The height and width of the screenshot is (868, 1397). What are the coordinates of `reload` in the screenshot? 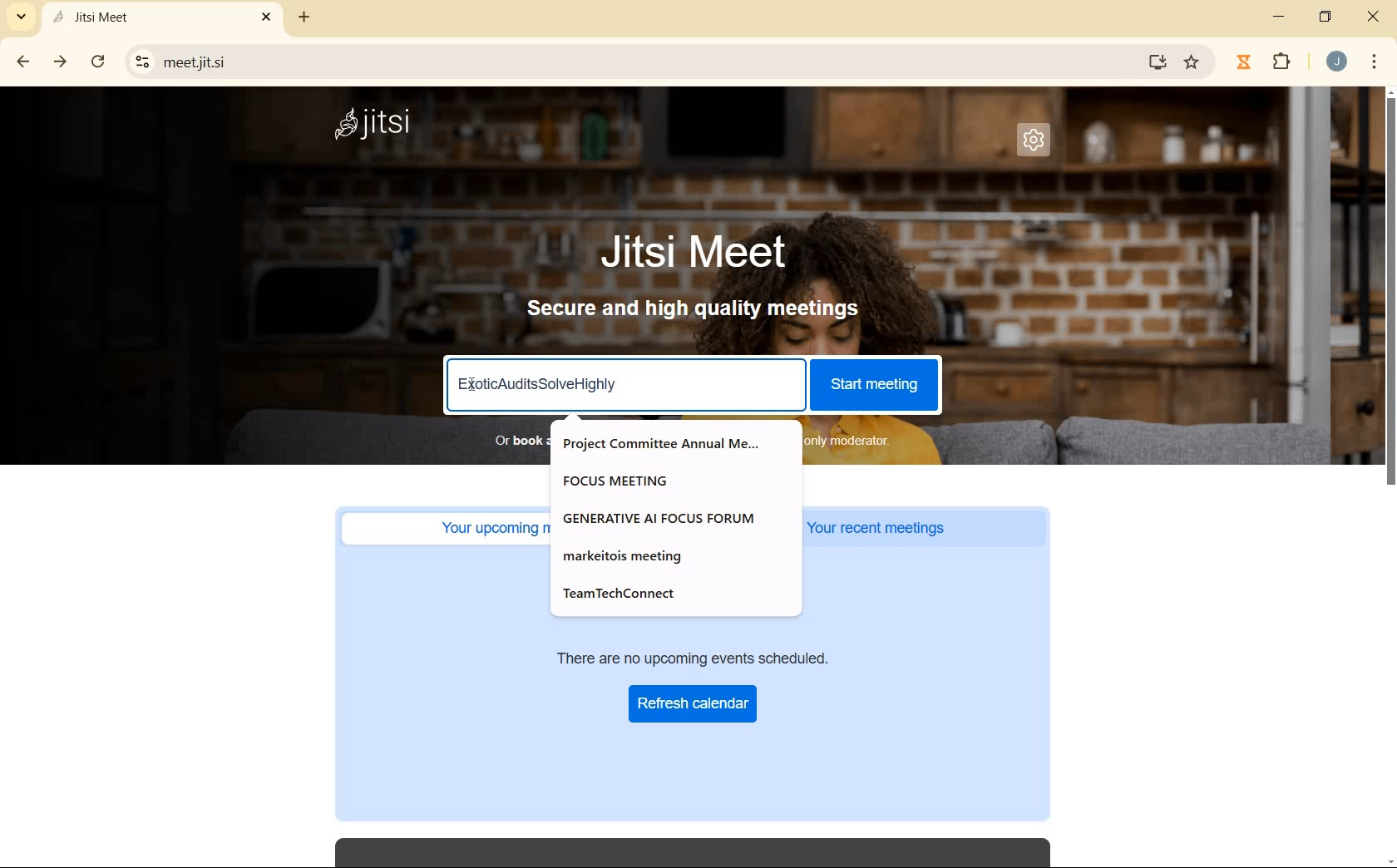 It's located at (98, 60).